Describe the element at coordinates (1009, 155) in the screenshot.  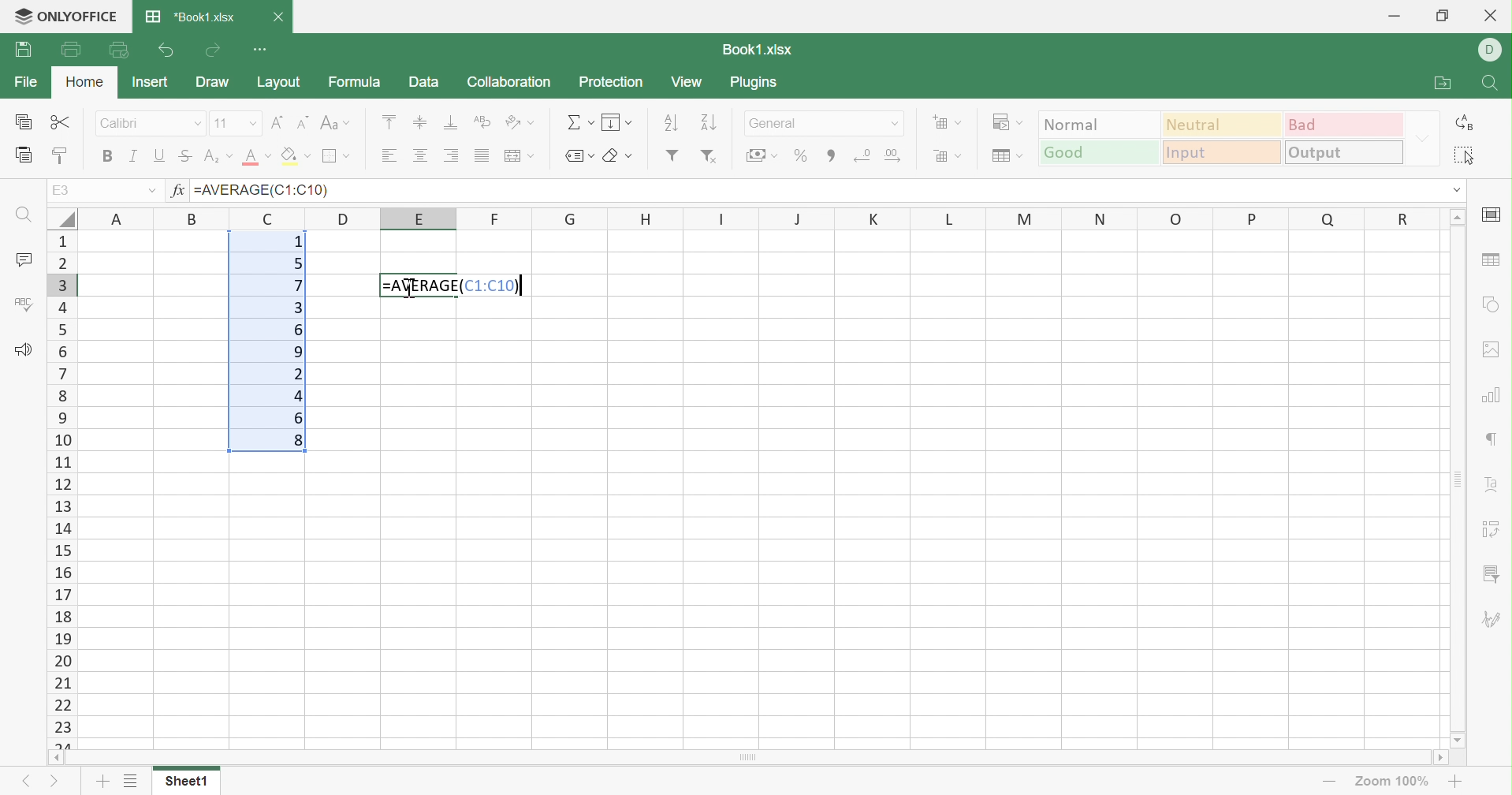
I see `Format table as template` at that location.